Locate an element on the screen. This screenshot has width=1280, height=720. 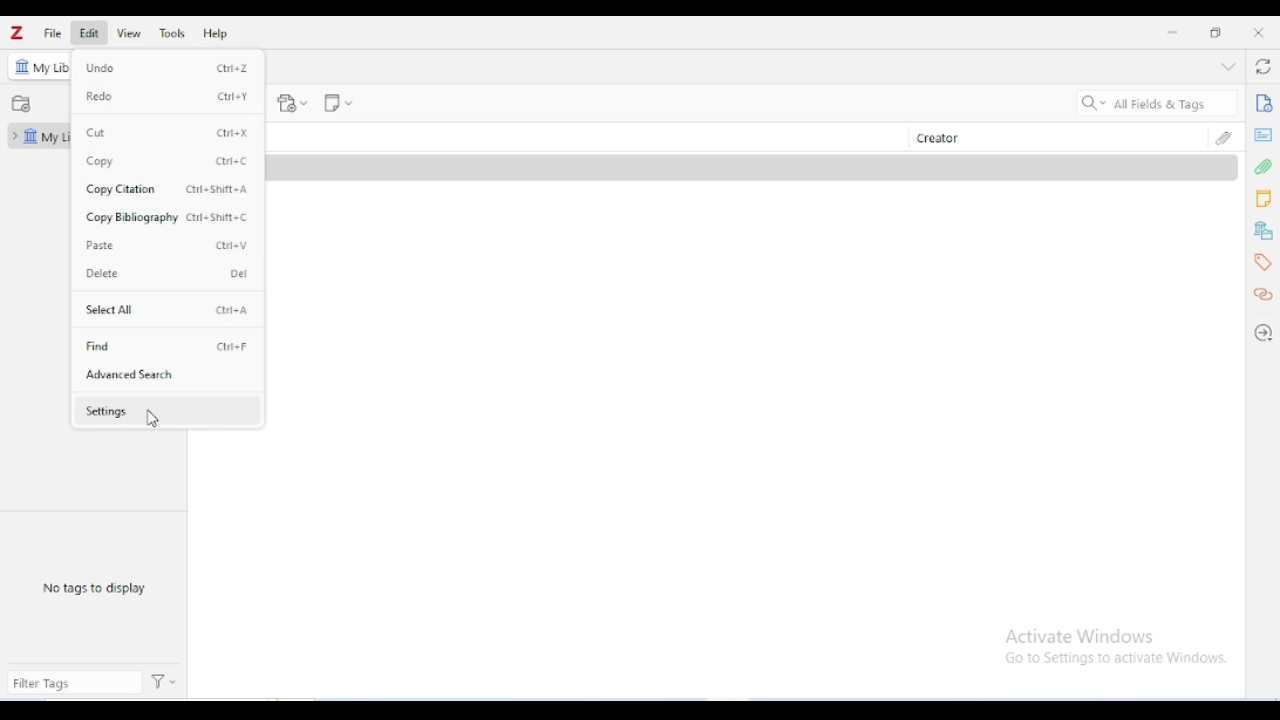
ctrl+F is located at coordinates (232, 347).